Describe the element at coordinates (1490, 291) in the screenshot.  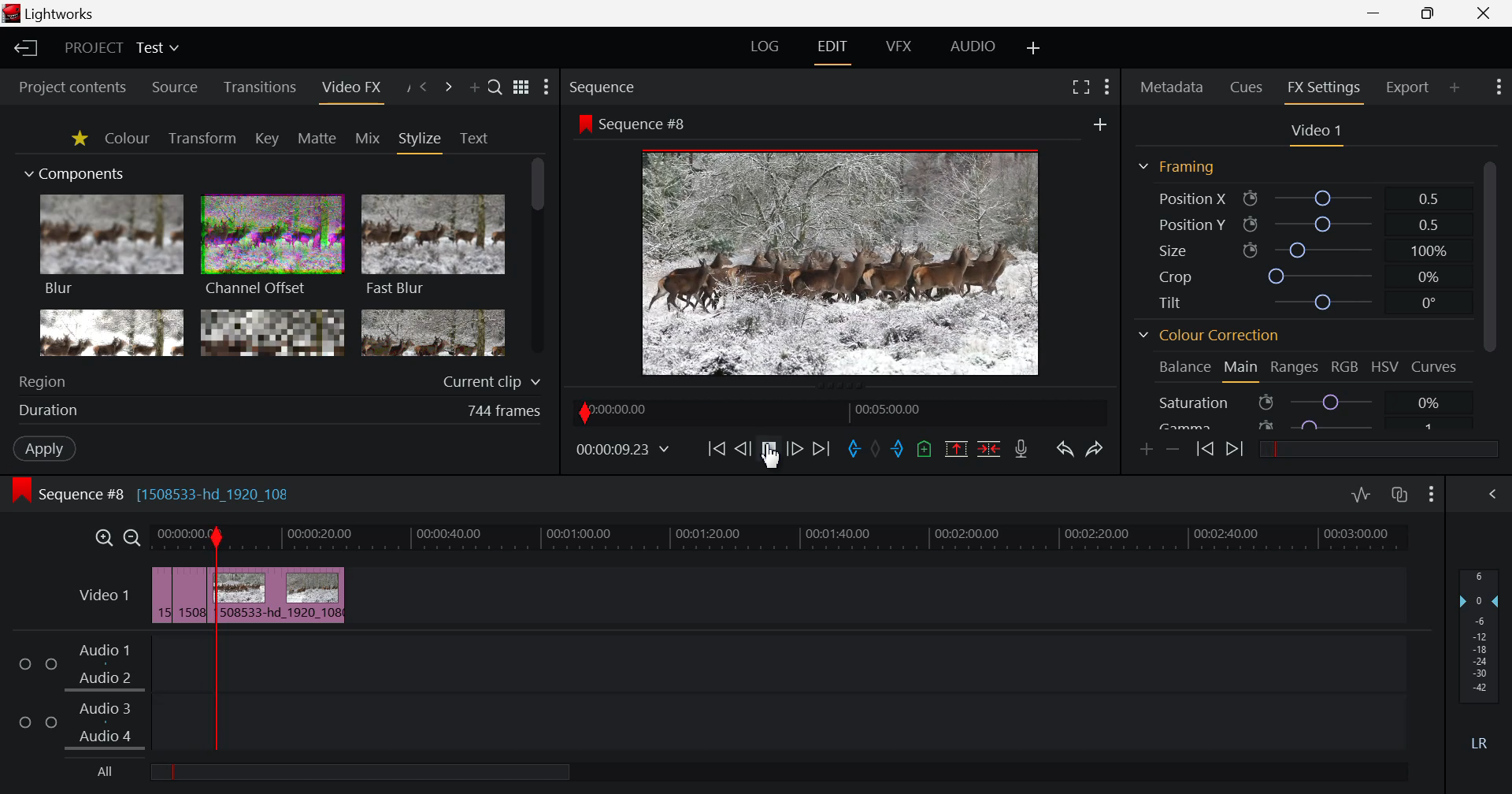
I see `Scroll Bar` at that location.